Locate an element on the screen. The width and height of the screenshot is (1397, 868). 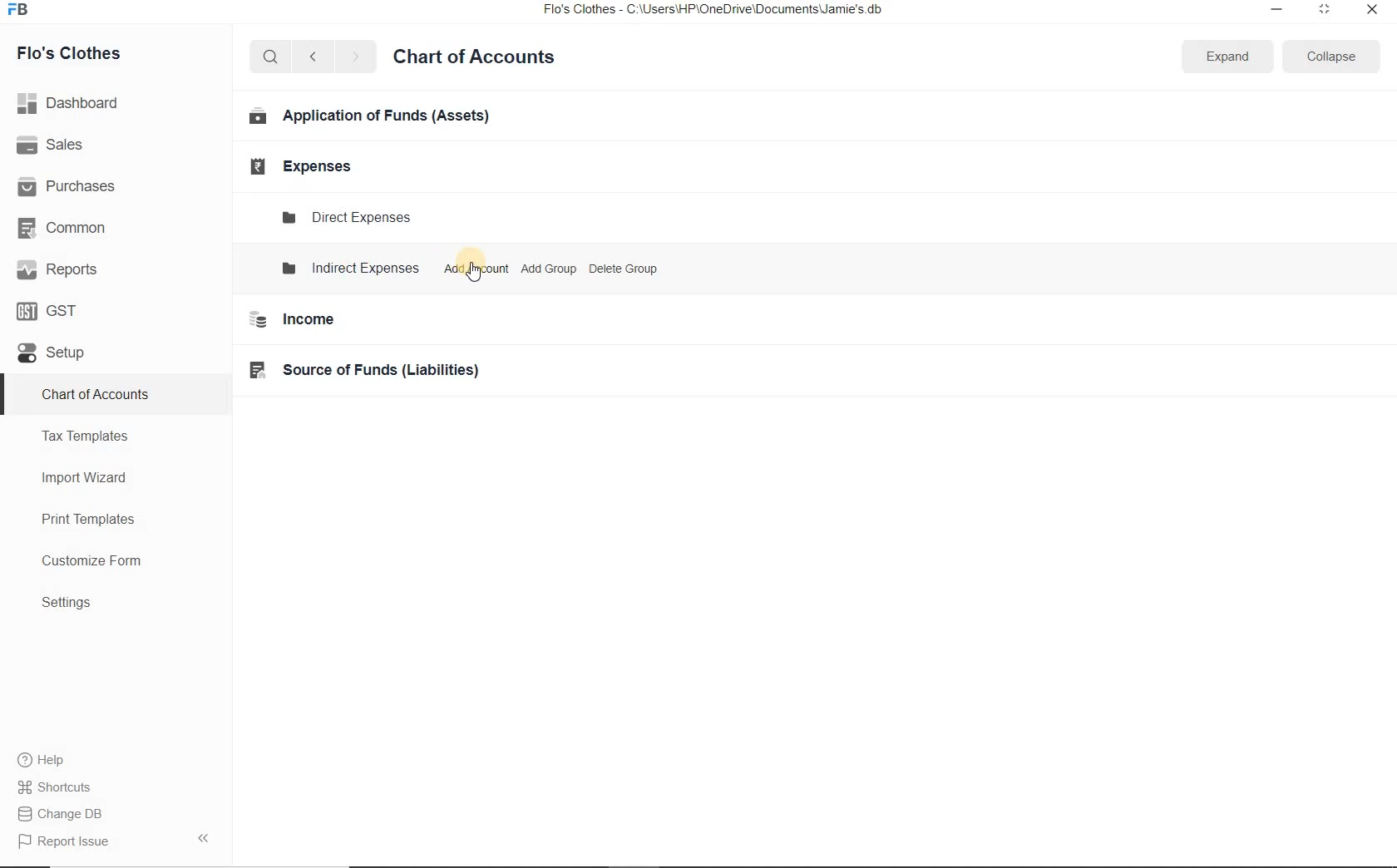
Flo's Clothes is located at coordinates (71, 53).